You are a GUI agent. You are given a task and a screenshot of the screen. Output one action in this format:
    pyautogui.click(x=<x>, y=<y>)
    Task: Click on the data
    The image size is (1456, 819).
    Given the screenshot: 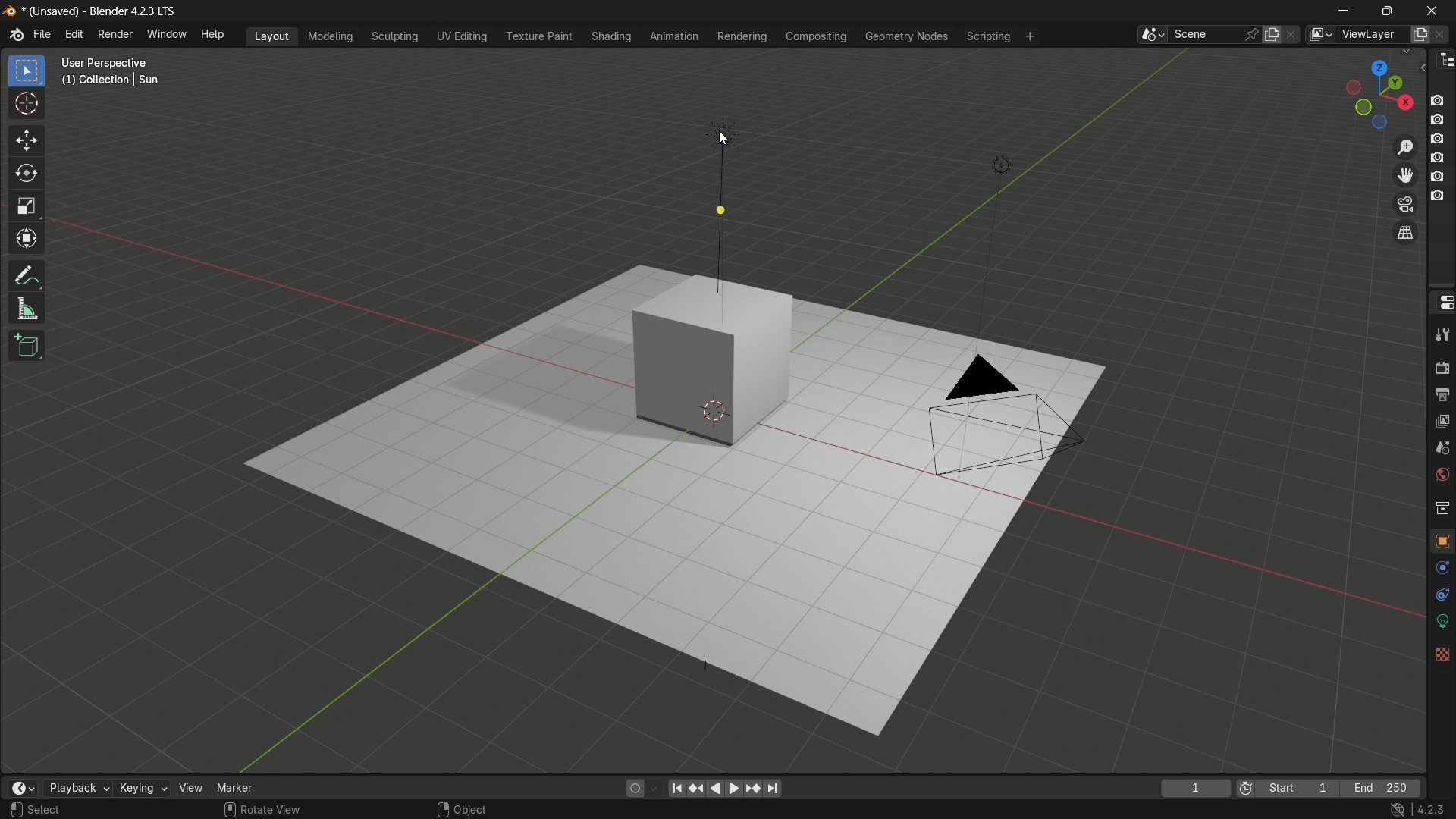 What is the action you would take?
    pyautogui.click(x=1442, y=620)
    